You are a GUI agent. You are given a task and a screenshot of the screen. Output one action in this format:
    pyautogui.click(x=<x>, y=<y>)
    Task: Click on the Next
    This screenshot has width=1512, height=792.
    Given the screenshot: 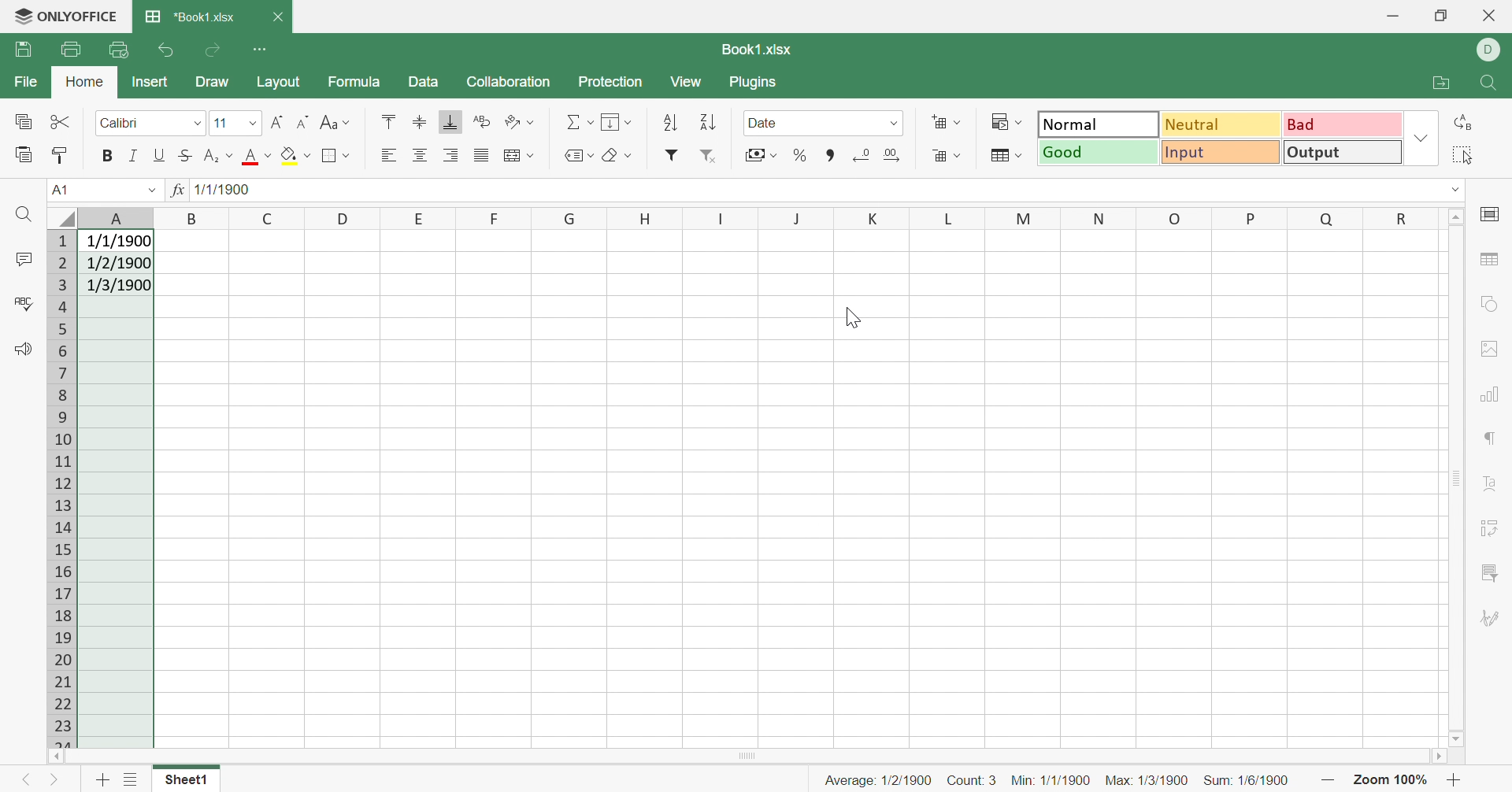 What is the action you would take?
    pyautogui.click(x=54, y=780)
    